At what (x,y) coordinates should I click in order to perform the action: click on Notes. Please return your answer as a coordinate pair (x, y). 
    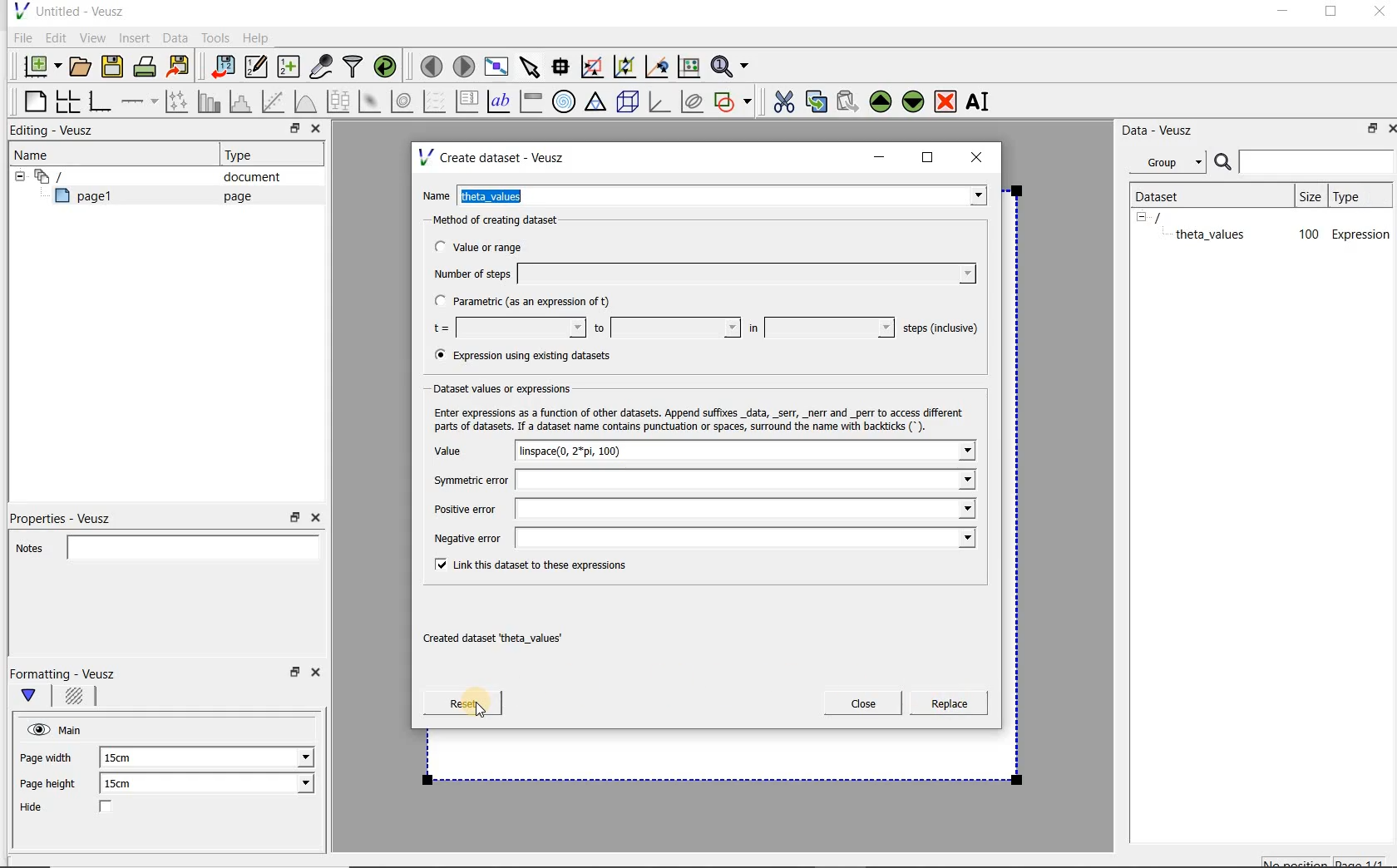
    Looking at the image, I should click on (162, 545).